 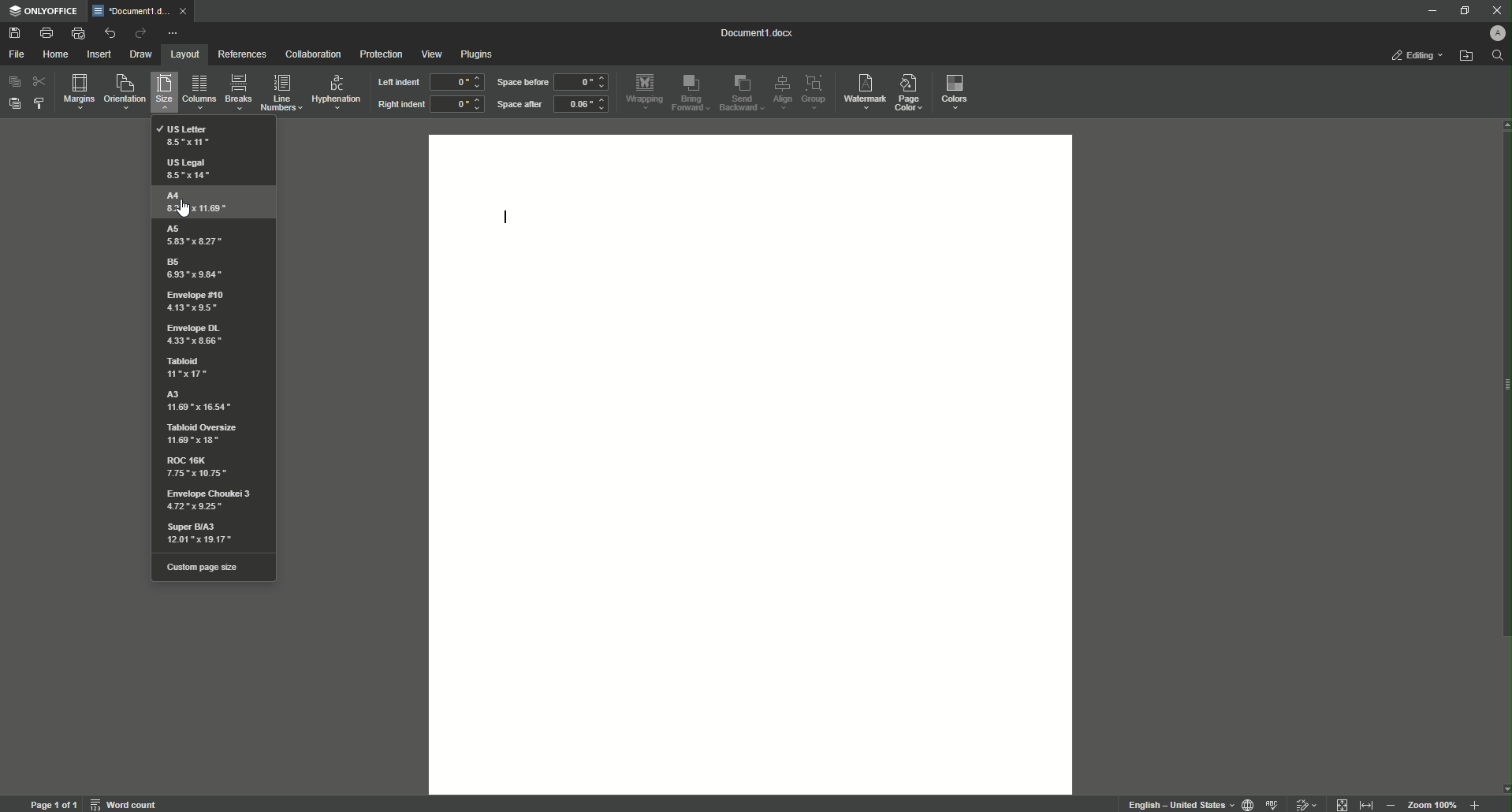 I want to click on Tabloid Oversize, so click(x=205, y=435).